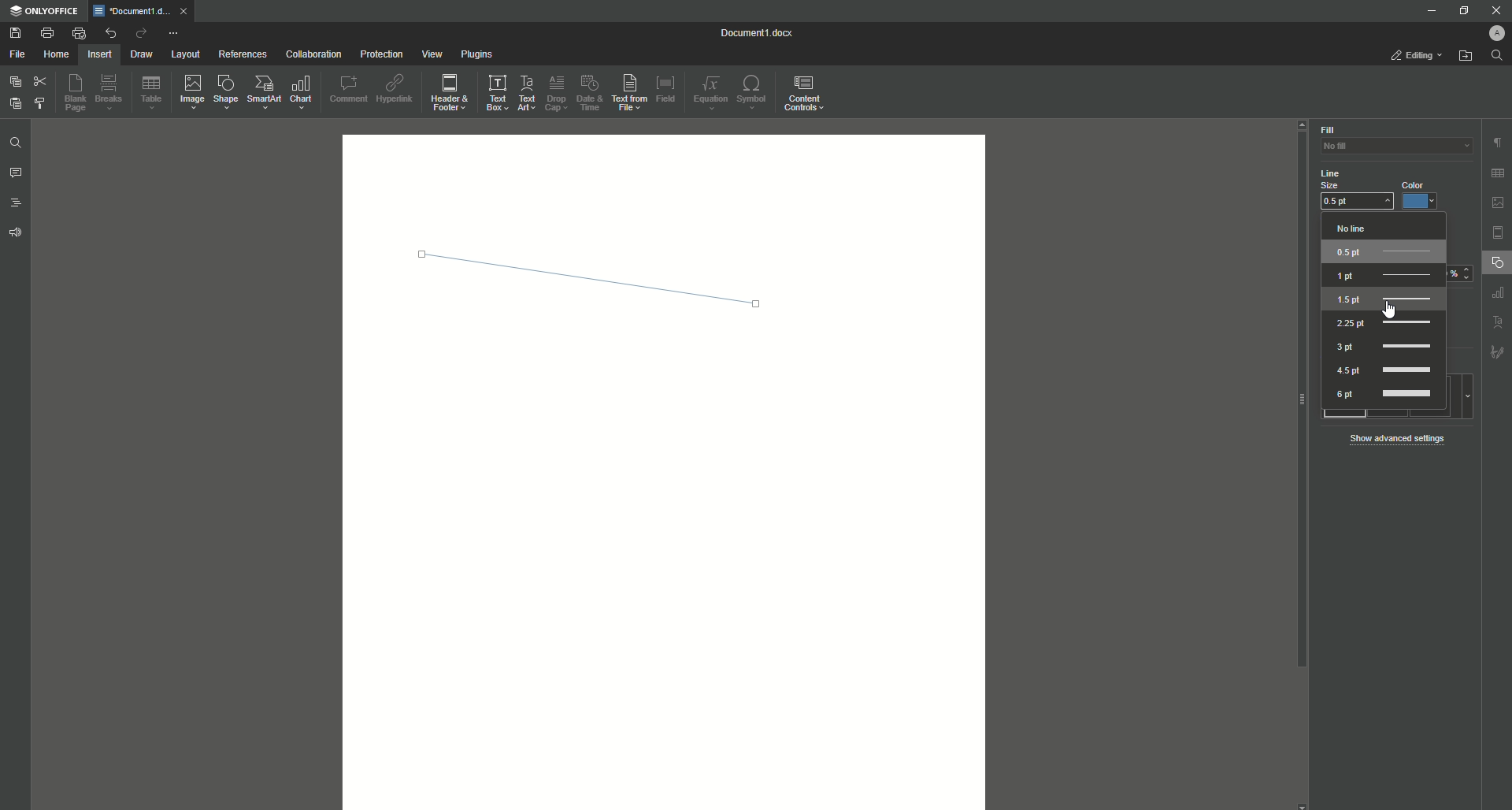  I want to click on More Options, so click(175, 34).